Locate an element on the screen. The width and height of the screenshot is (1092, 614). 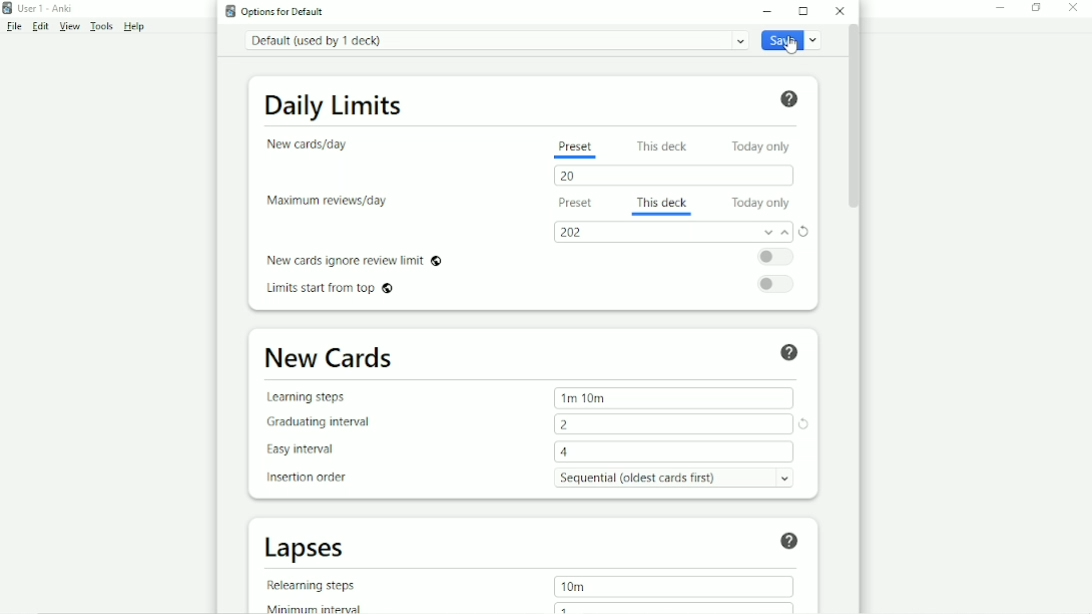
4 is located at coordinates (567, 452).